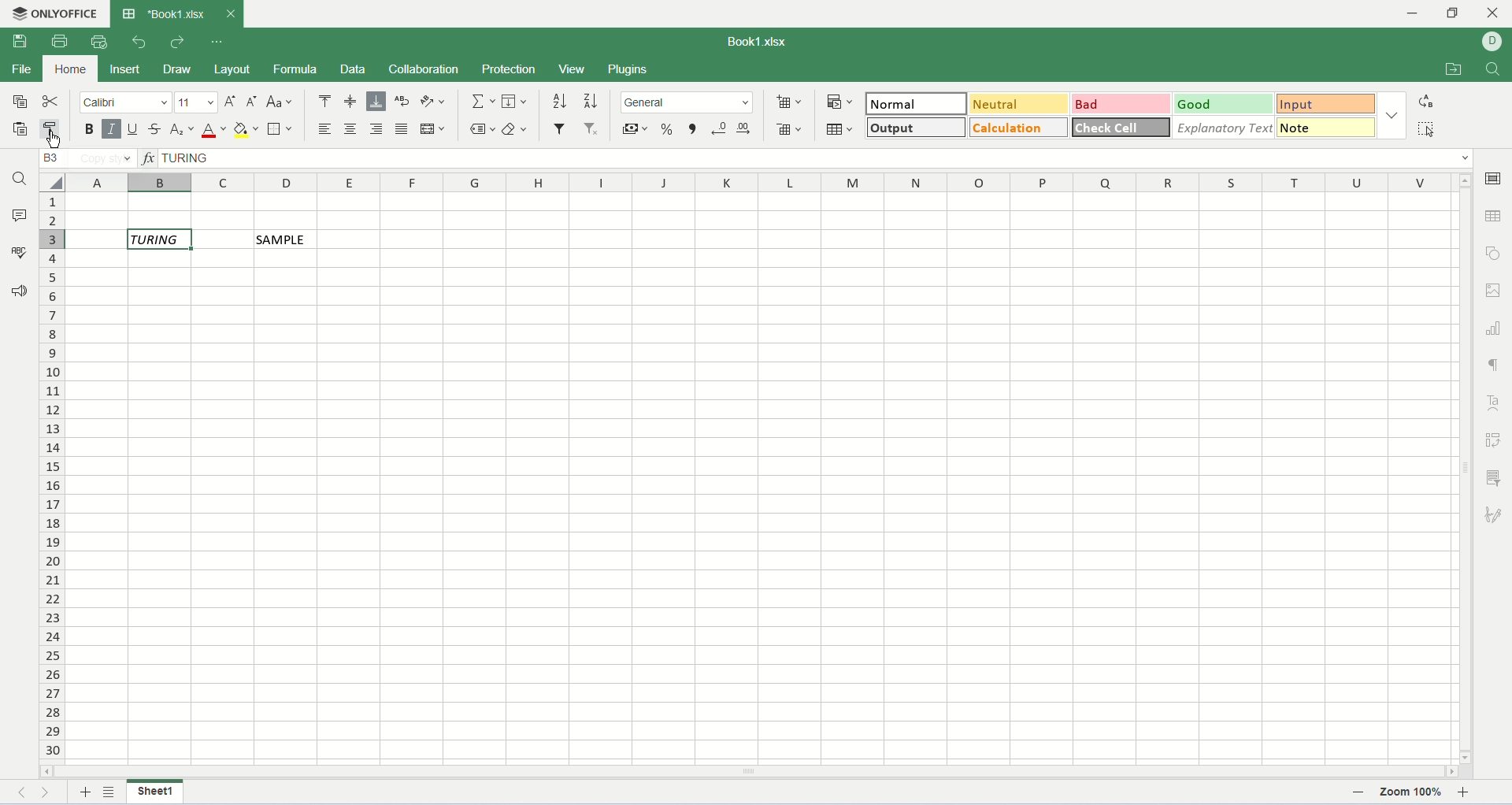 This screenshot has height=805, width=1512. Describe the element at coordinates (561, 127) in the screenshot. I see `filter` at that location.